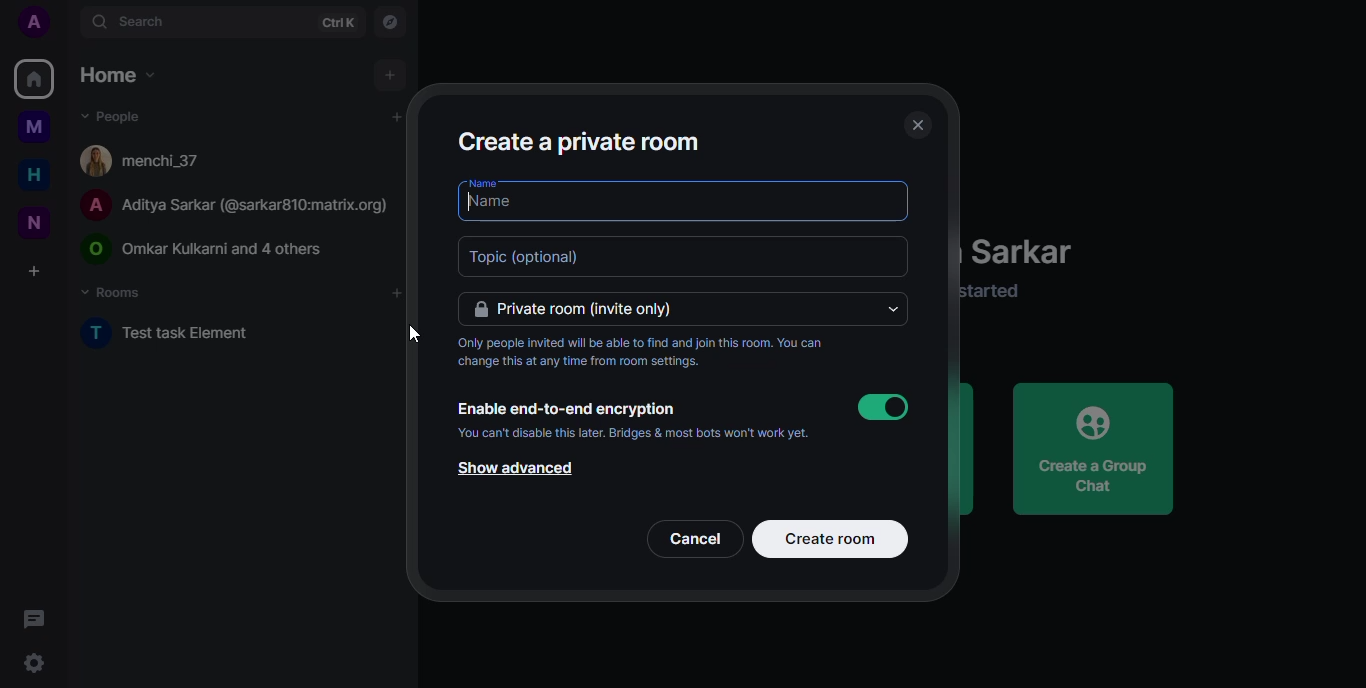 Image resolution: width=1366 pixels, height=688 pixels. What do you see at coordinates (541, 257) in the screenshot?
I see `topic` at bounding box center [541, 257].